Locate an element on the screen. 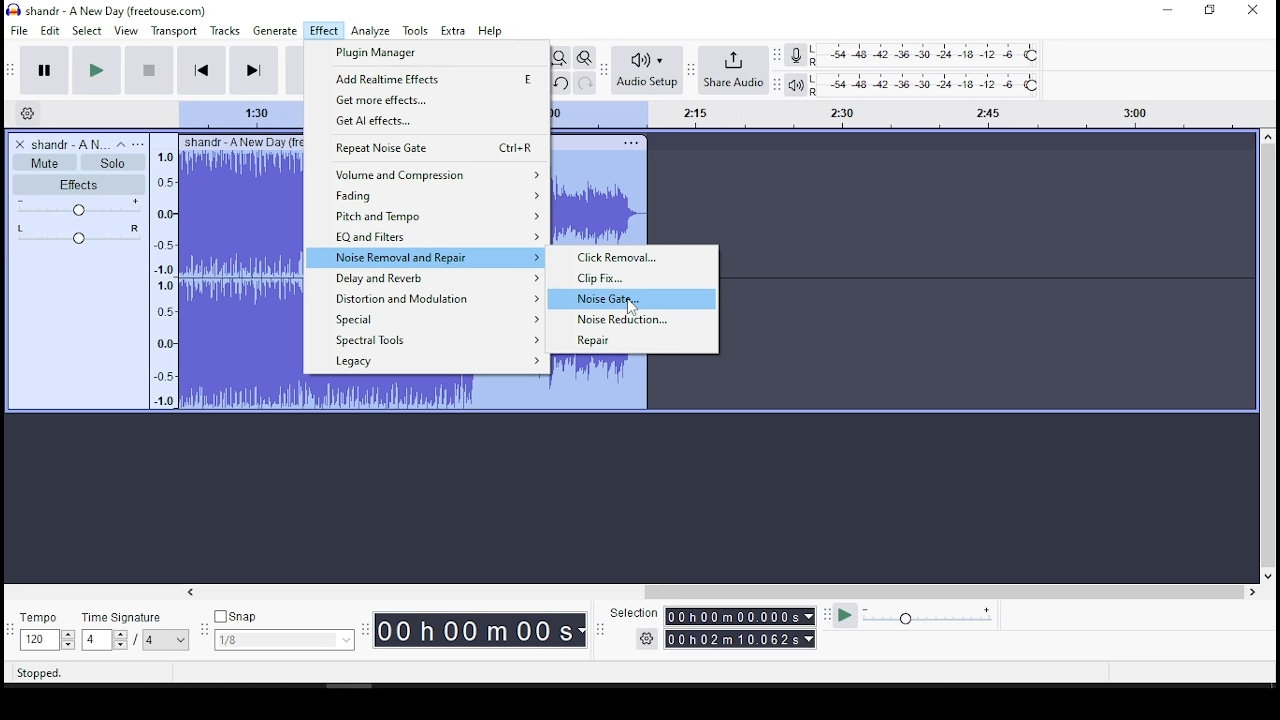 The height and width of the screenshot is (720, 1280). solo is located at coordinates (111, 163).